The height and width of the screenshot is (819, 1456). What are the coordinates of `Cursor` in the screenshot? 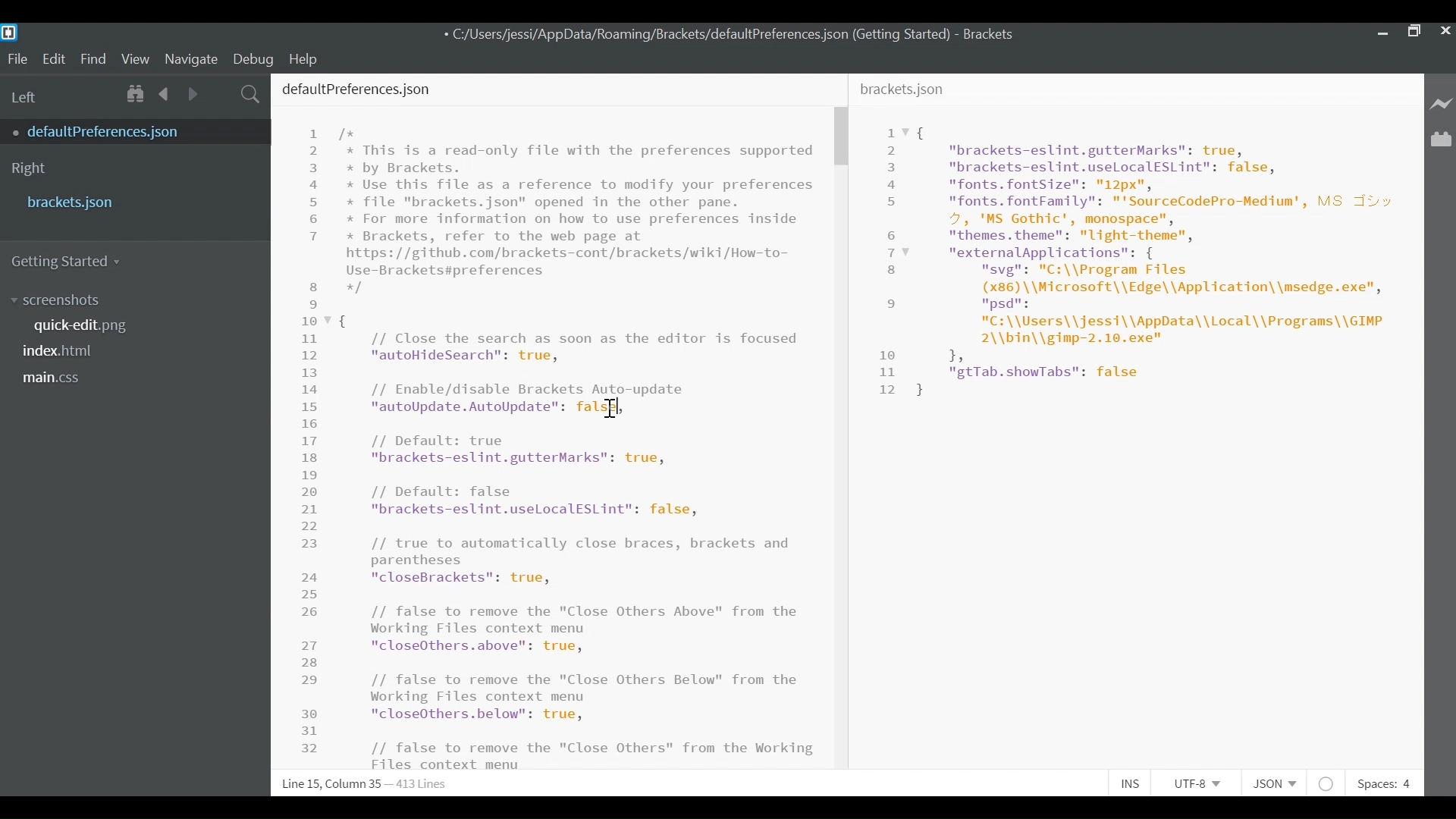 It's located at (609, 409).